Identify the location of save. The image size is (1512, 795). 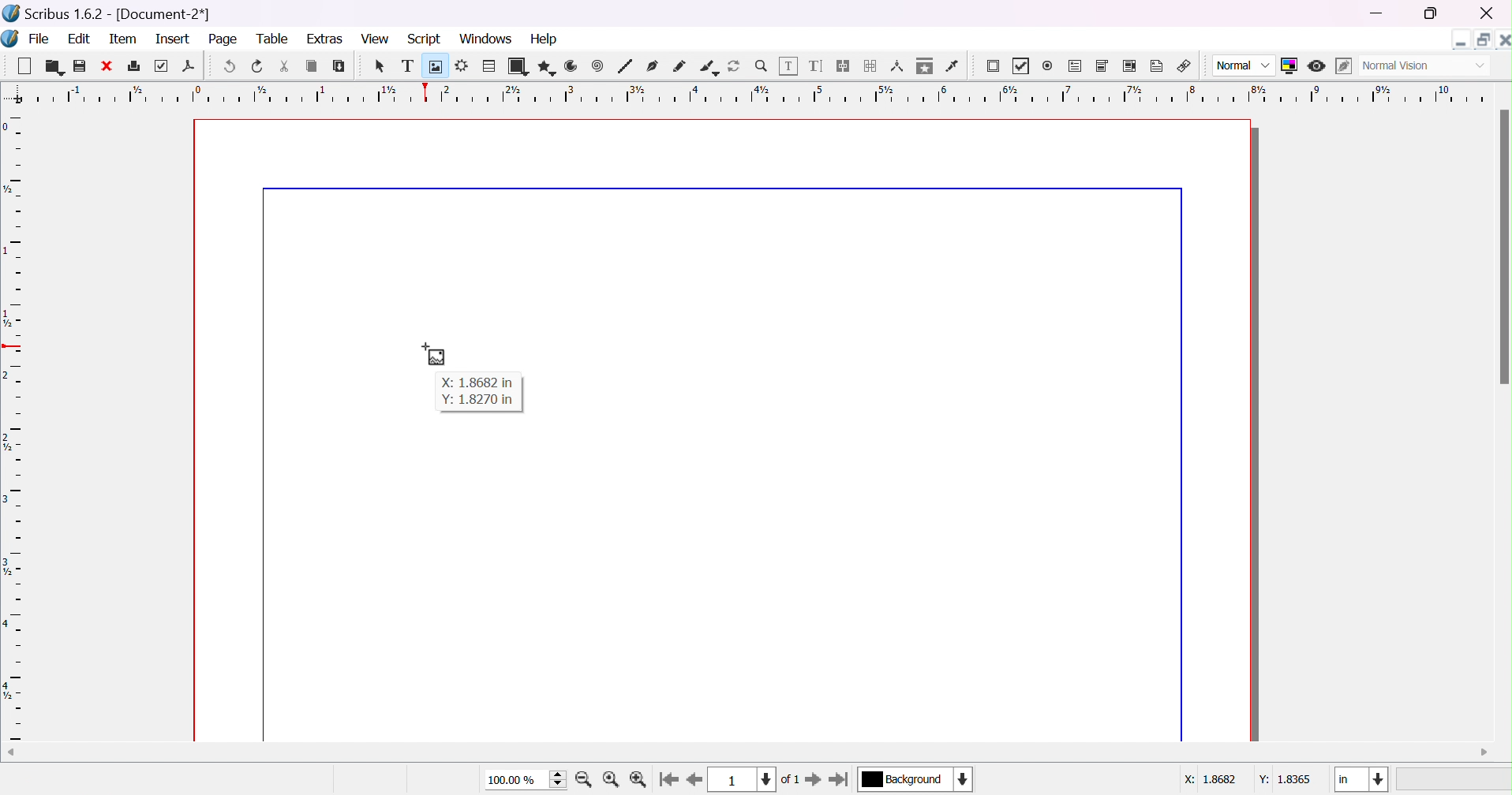
(80, 66).